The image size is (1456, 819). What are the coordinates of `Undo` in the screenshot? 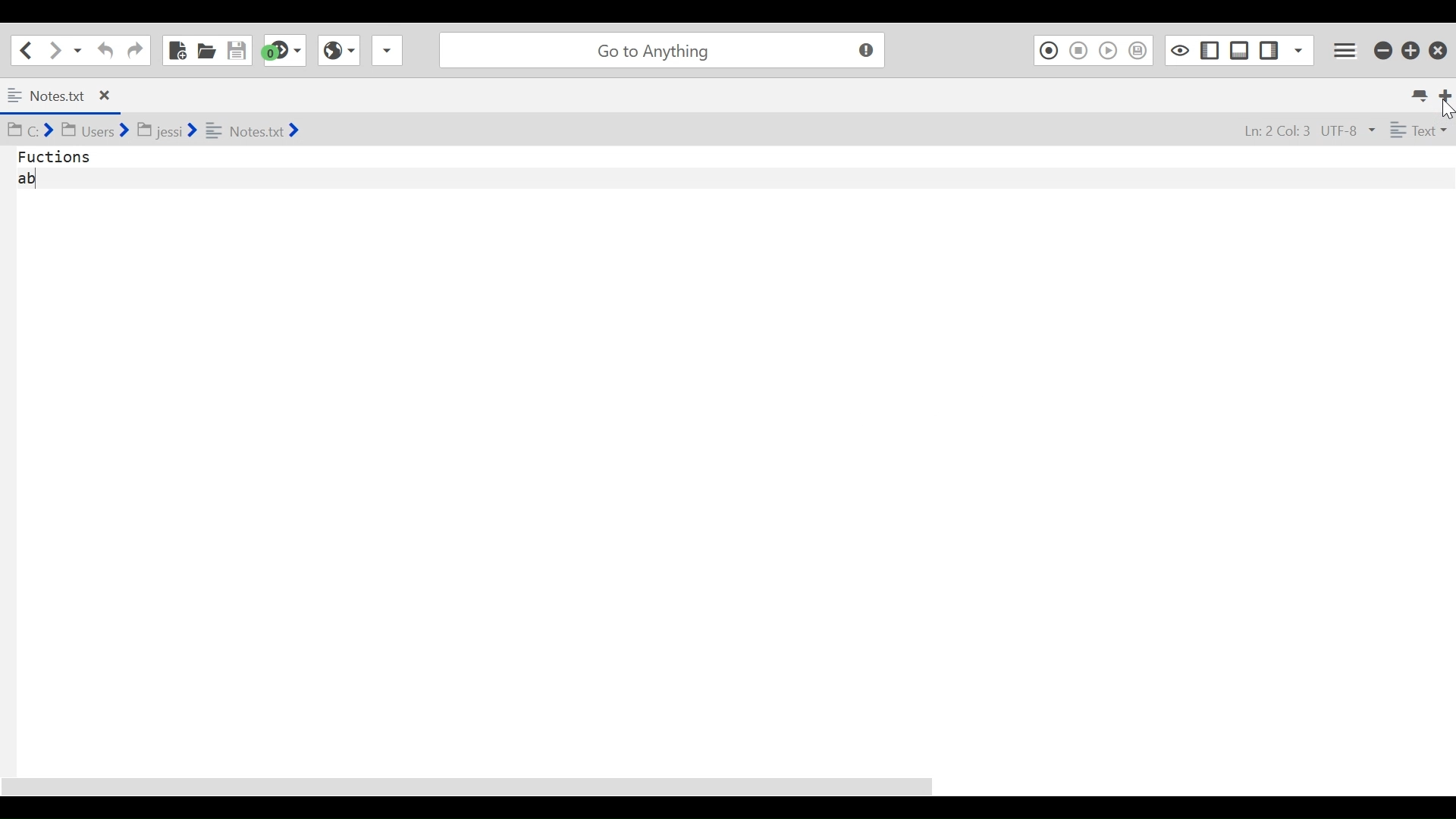 It's located at (106, 49).